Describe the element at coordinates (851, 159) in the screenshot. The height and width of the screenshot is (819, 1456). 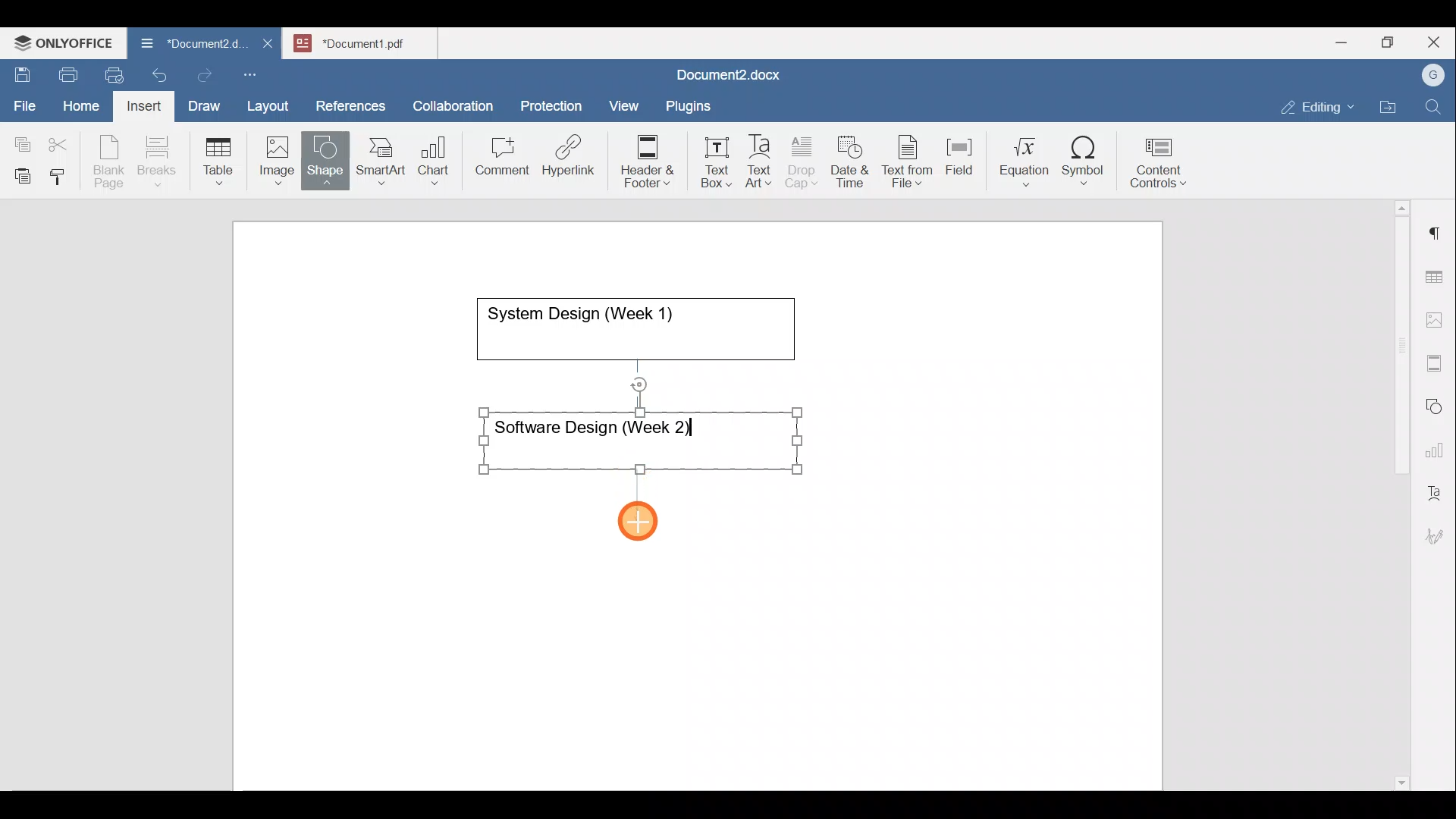
I see `Date & time` at that location.